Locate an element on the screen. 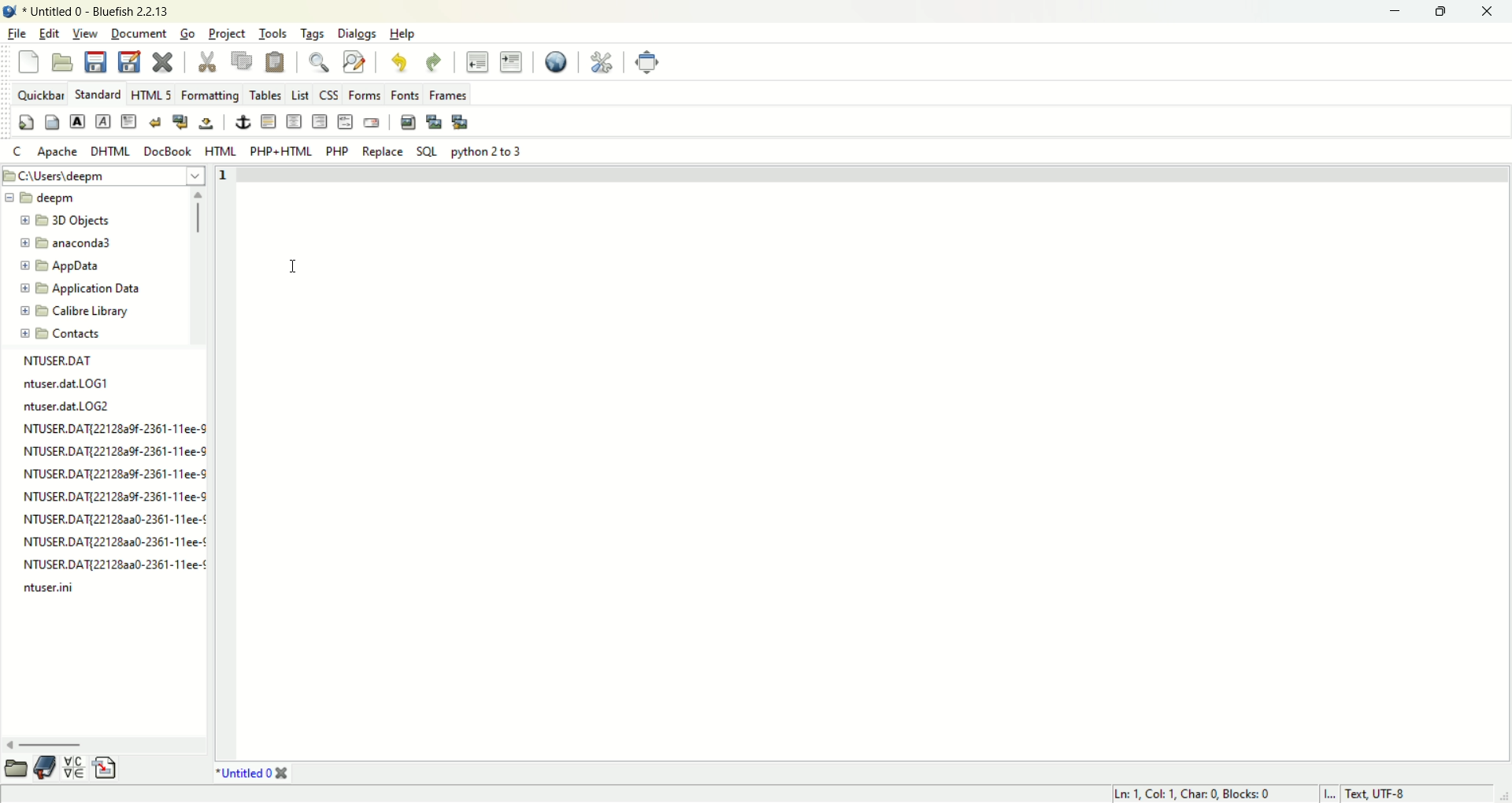 This screenshot has width=1512, height=803. anchor is located at coordinates (243, 121).